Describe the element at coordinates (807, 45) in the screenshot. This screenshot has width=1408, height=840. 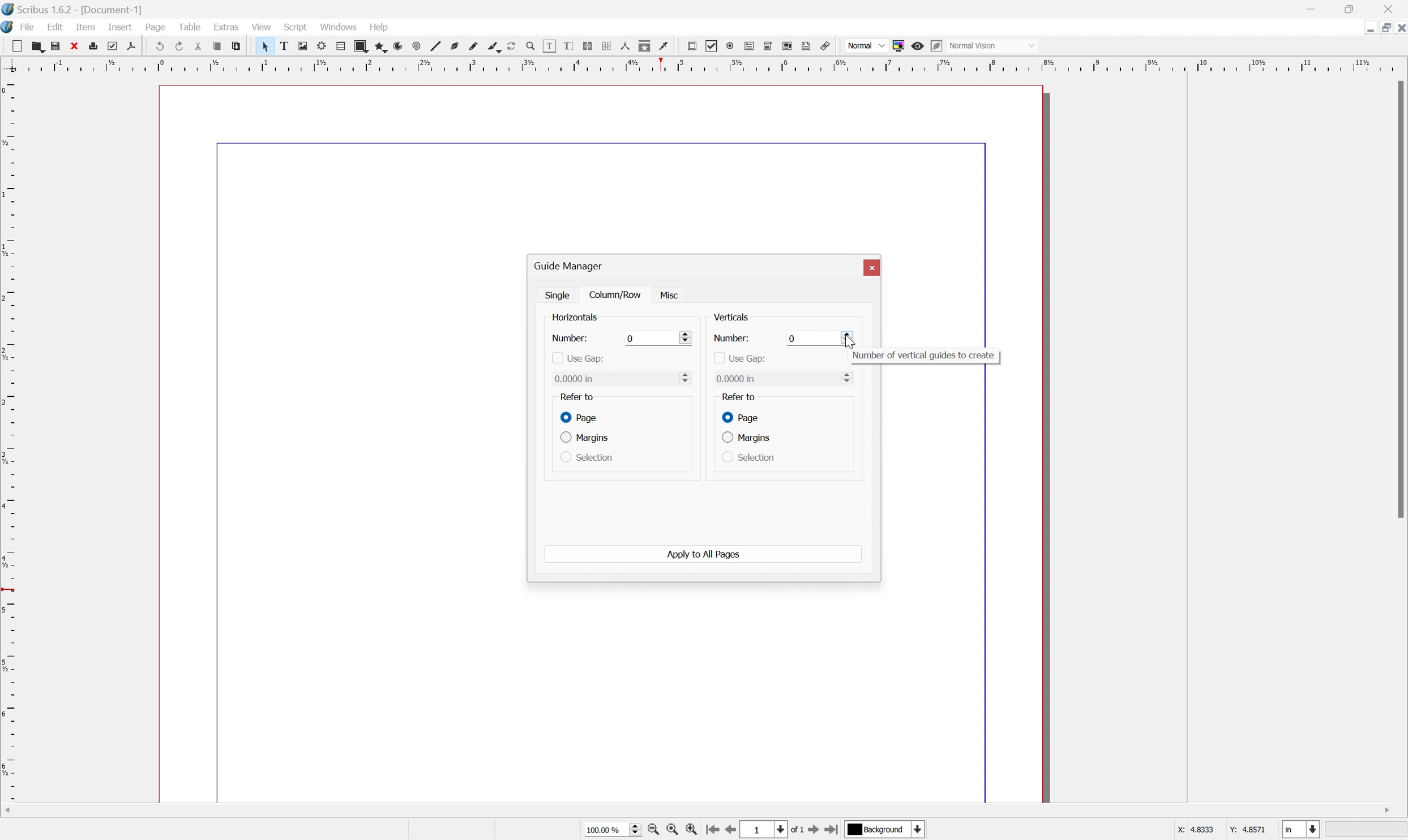
I see `text annotation` at that location.